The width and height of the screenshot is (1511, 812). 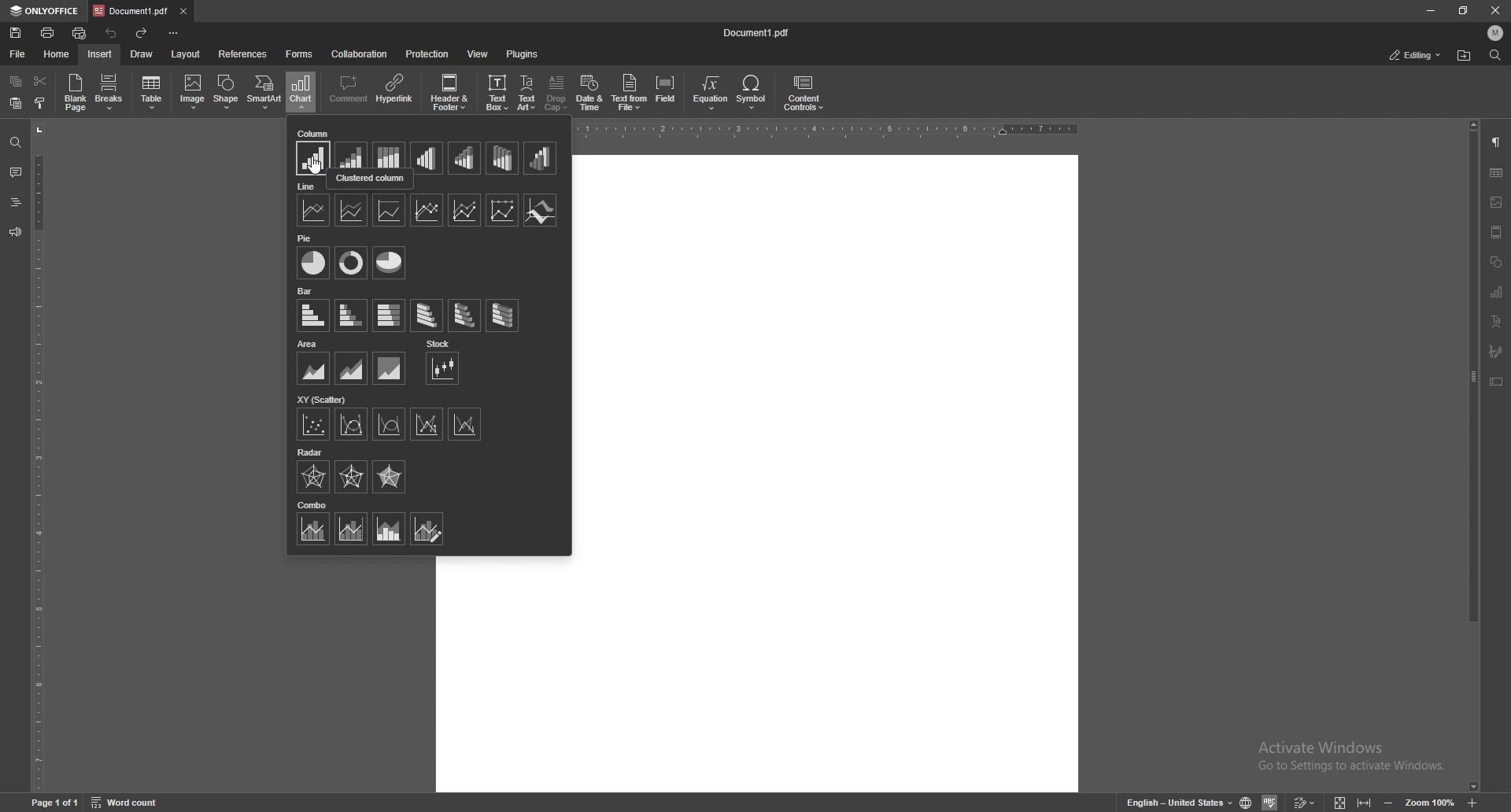 What do you see at coordinates (348, 90) in the screenshot?
I see `comment` at bounding box center [348, 90].